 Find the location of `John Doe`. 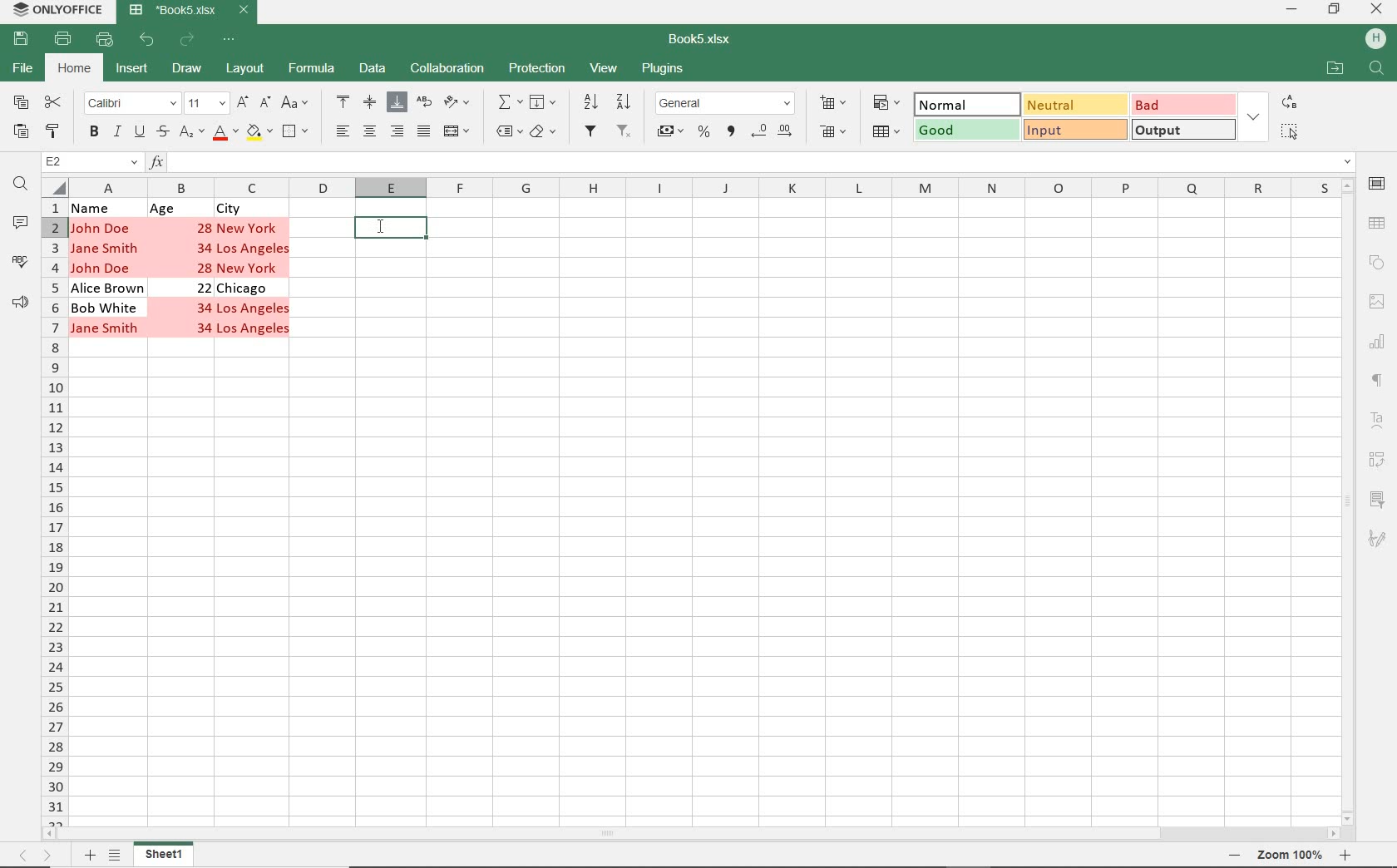

John Doe is located at coordinates (101, 226).